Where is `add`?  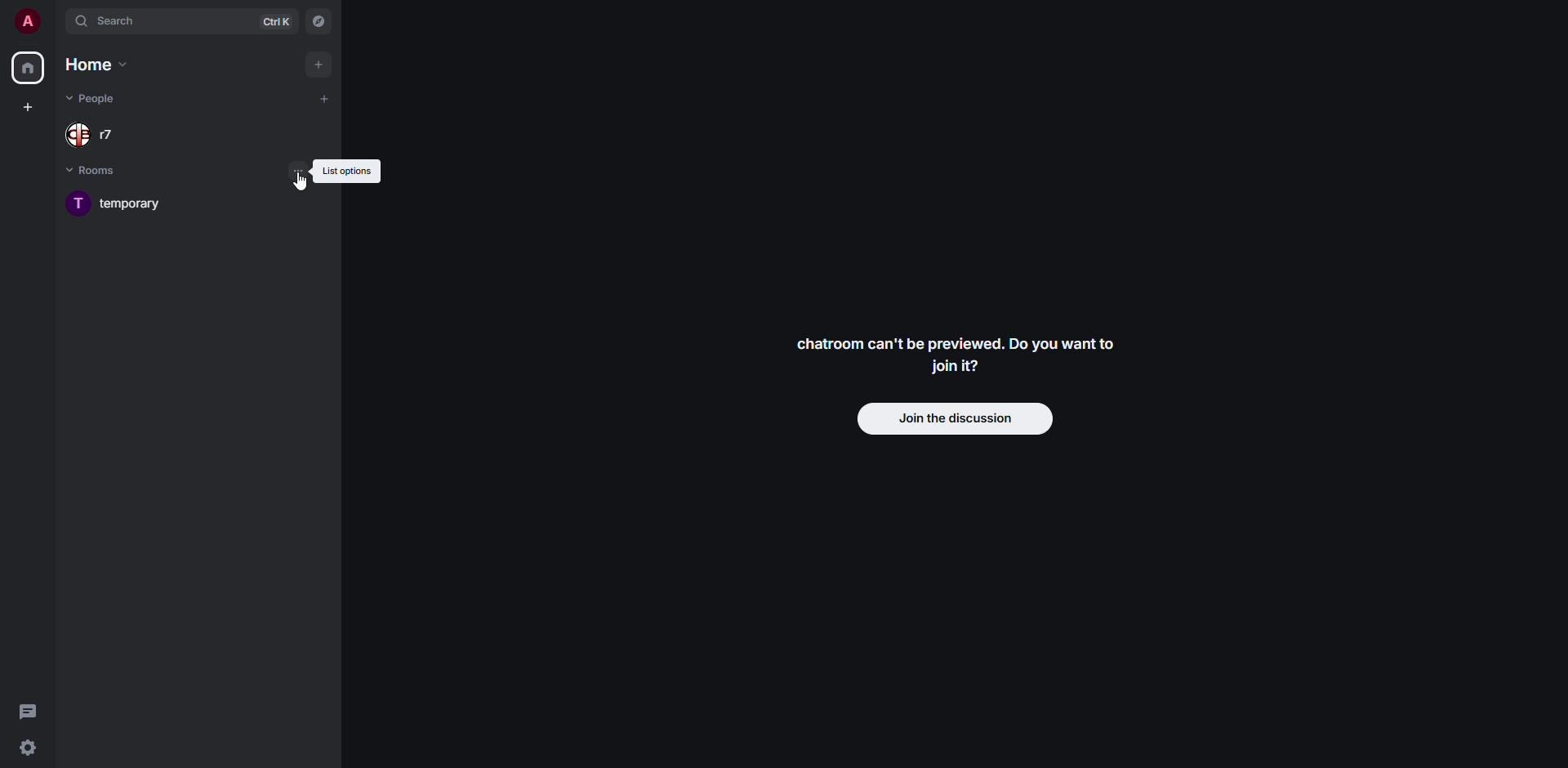 add is located at coordinates (323, 100).